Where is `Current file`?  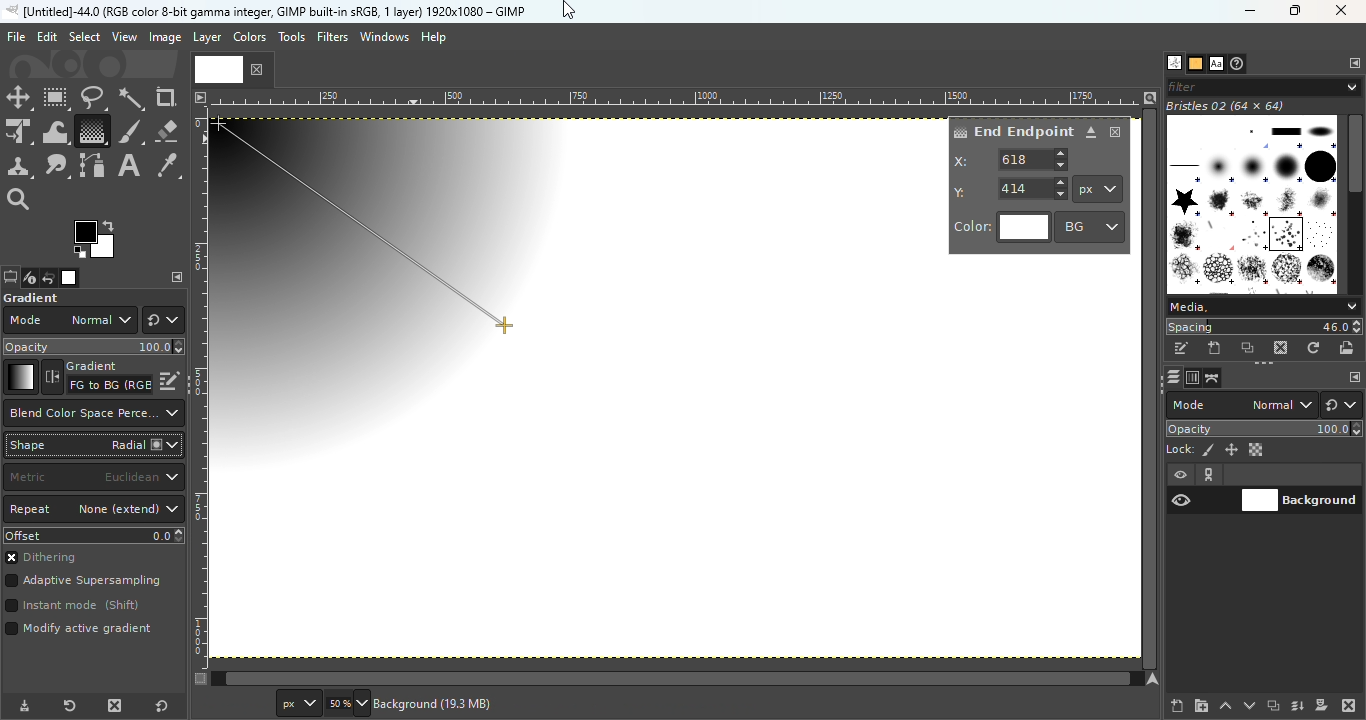 Current file is located at coordinates (233, 68).